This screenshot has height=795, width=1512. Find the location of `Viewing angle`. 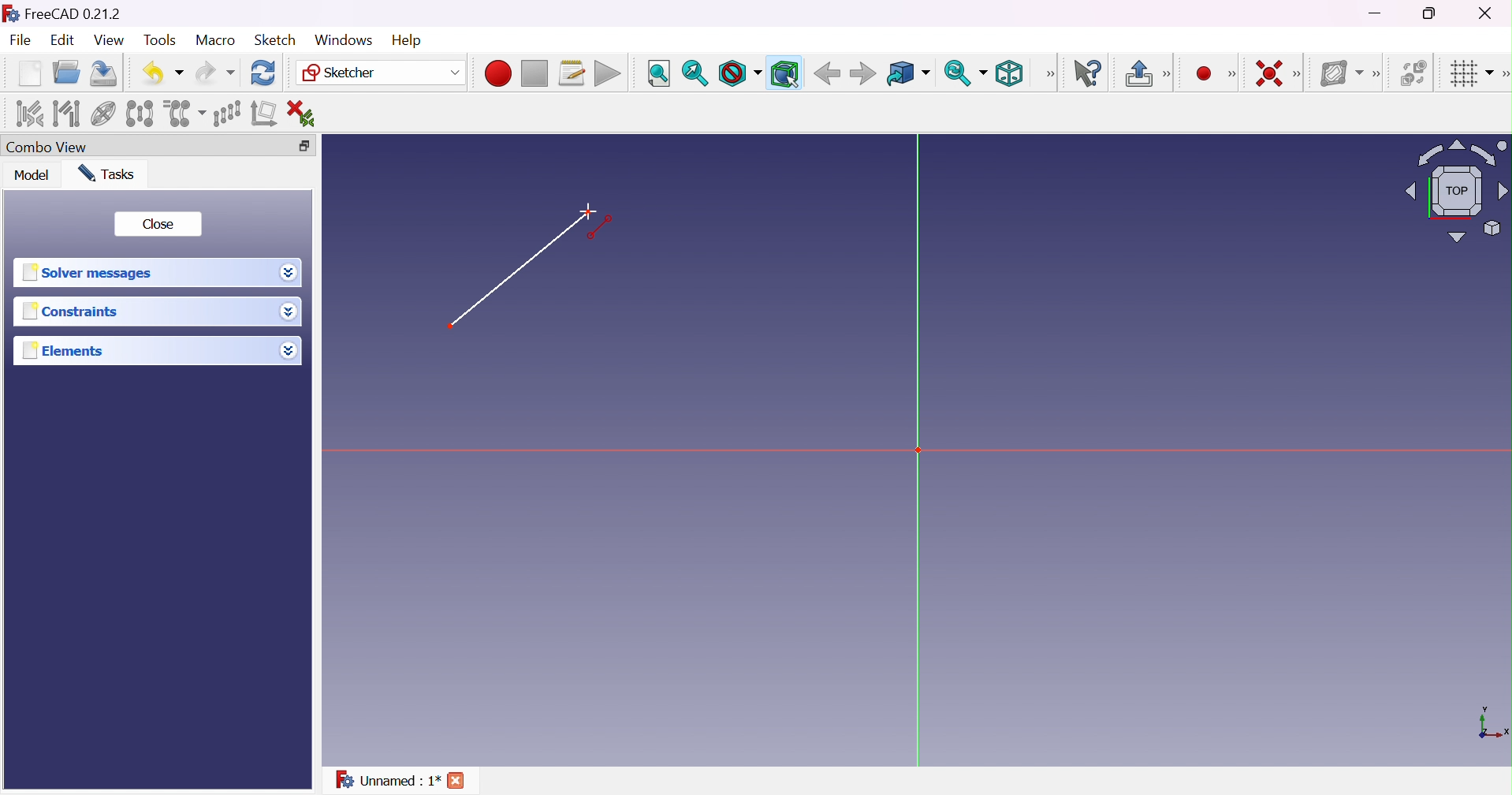

Viewing angle is located at coordinates (1458, 190).